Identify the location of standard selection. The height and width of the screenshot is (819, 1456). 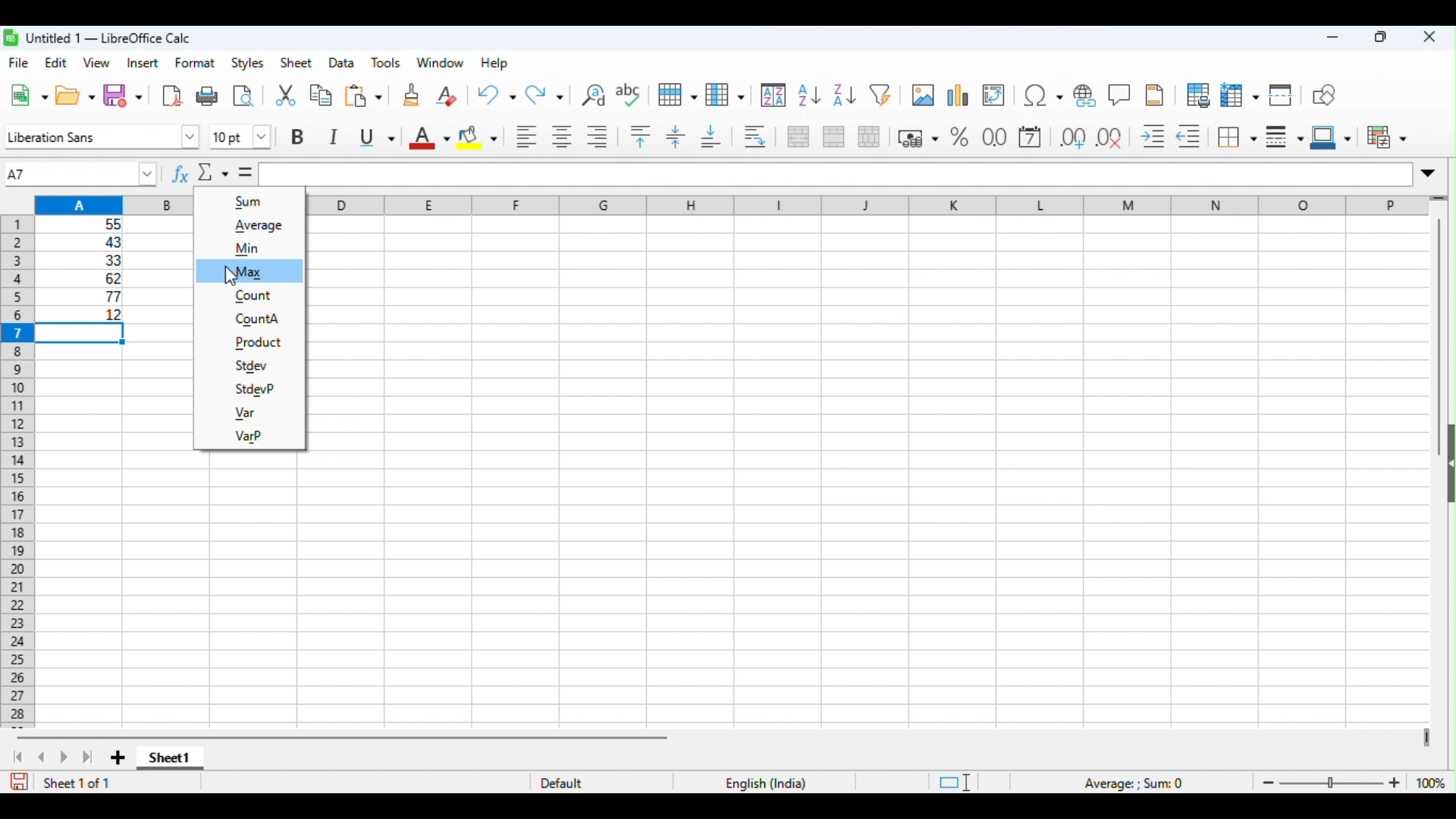
(952, 782).